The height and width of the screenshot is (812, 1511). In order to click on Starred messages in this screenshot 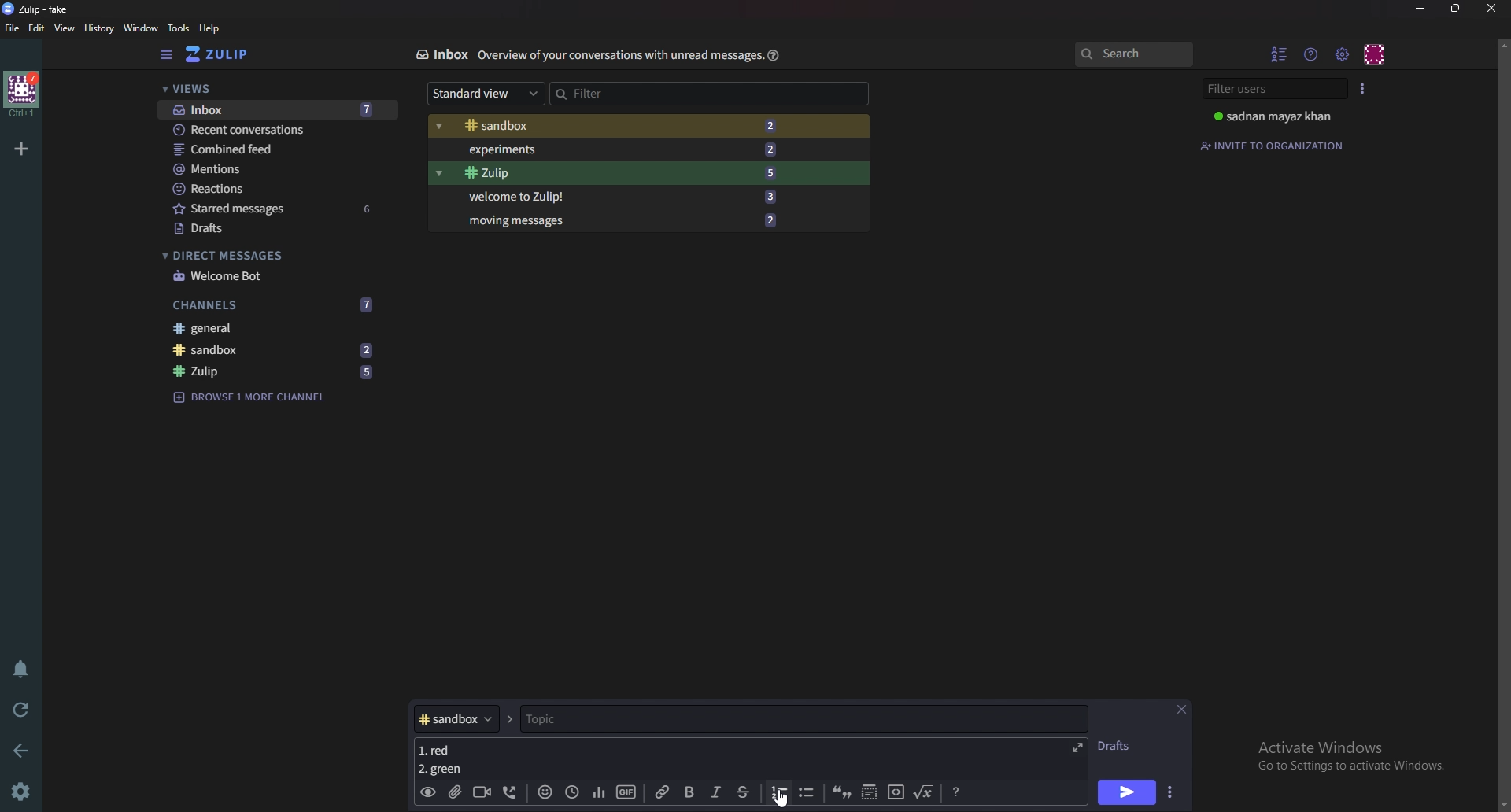, I will do `click(275, 209)`.